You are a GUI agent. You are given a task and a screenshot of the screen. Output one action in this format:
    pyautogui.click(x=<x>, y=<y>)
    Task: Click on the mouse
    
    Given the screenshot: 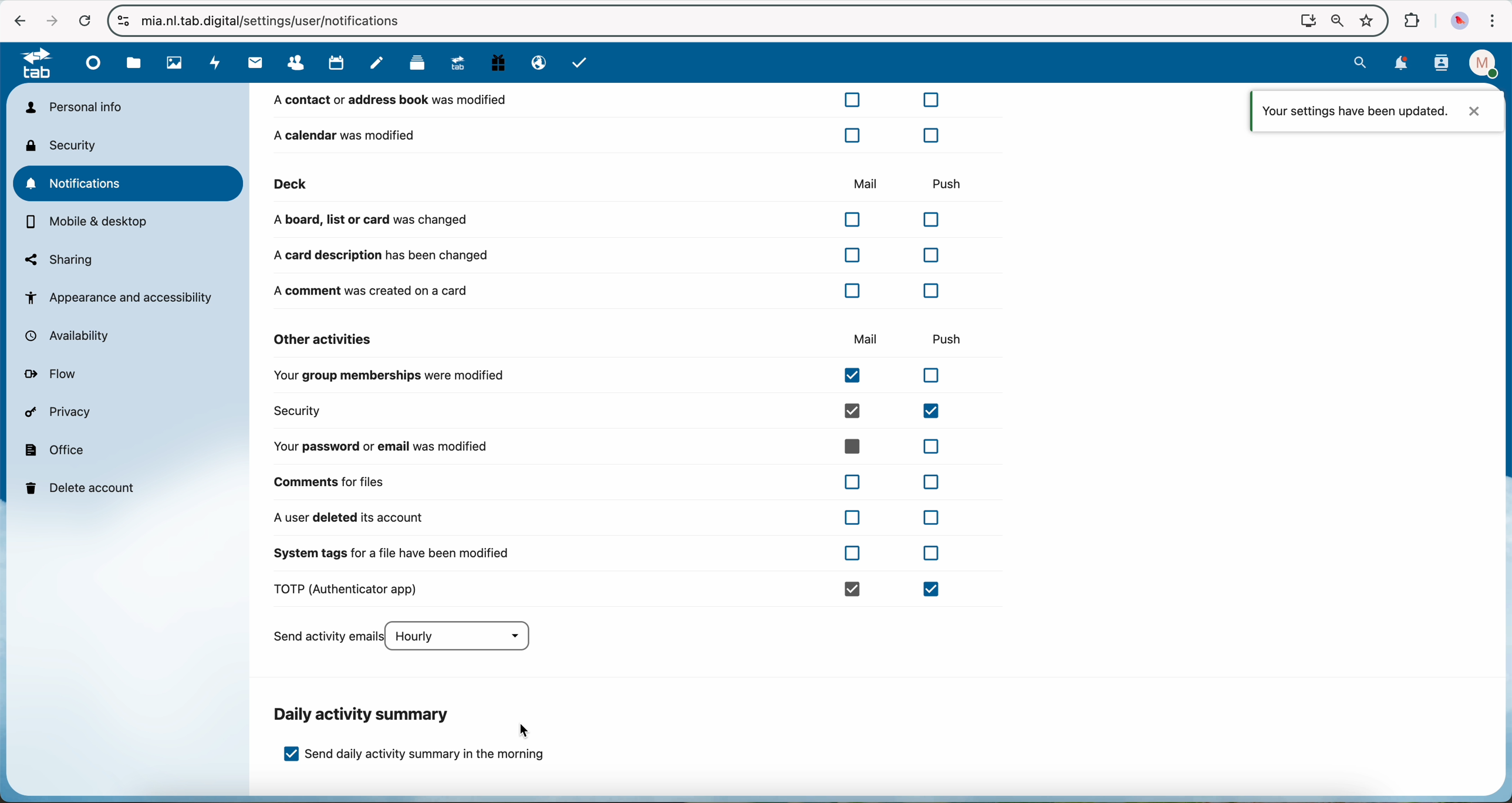 What is the action you would take?
    pyautogui.click(x=525, y=730)
    